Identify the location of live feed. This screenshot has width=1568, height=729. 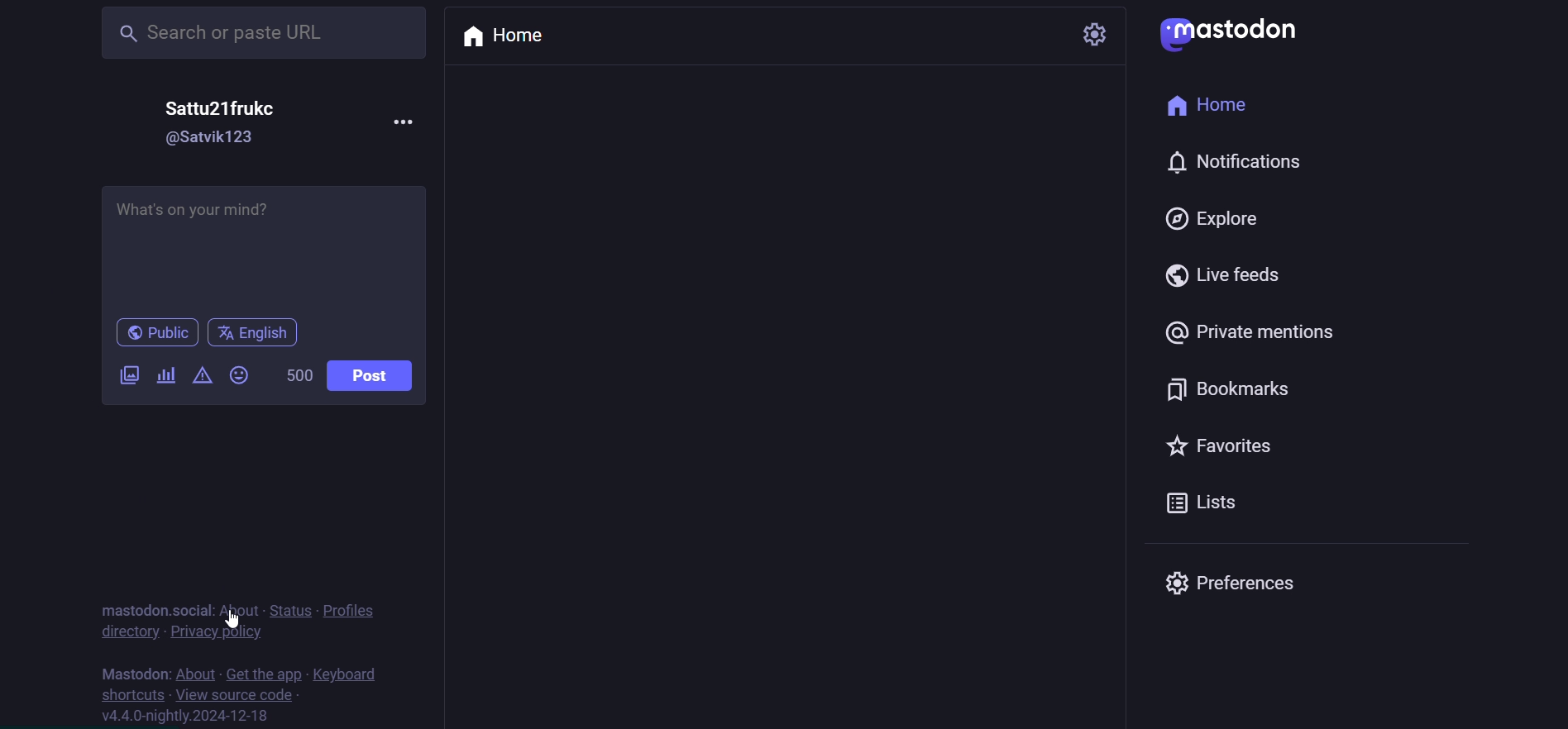
(1225, 275).